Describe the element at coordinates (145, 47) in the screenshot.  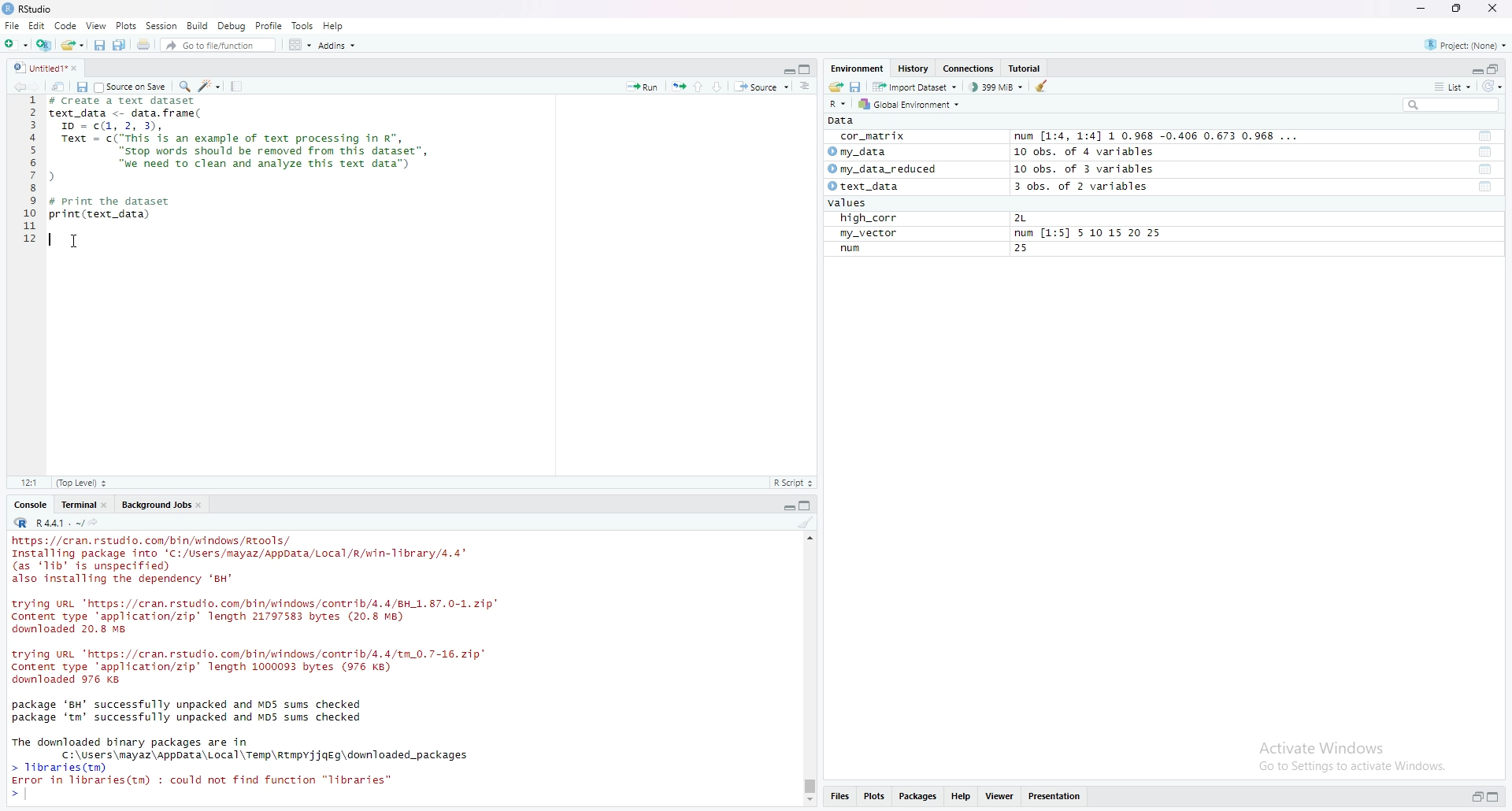
I see `print the current file` at that location.